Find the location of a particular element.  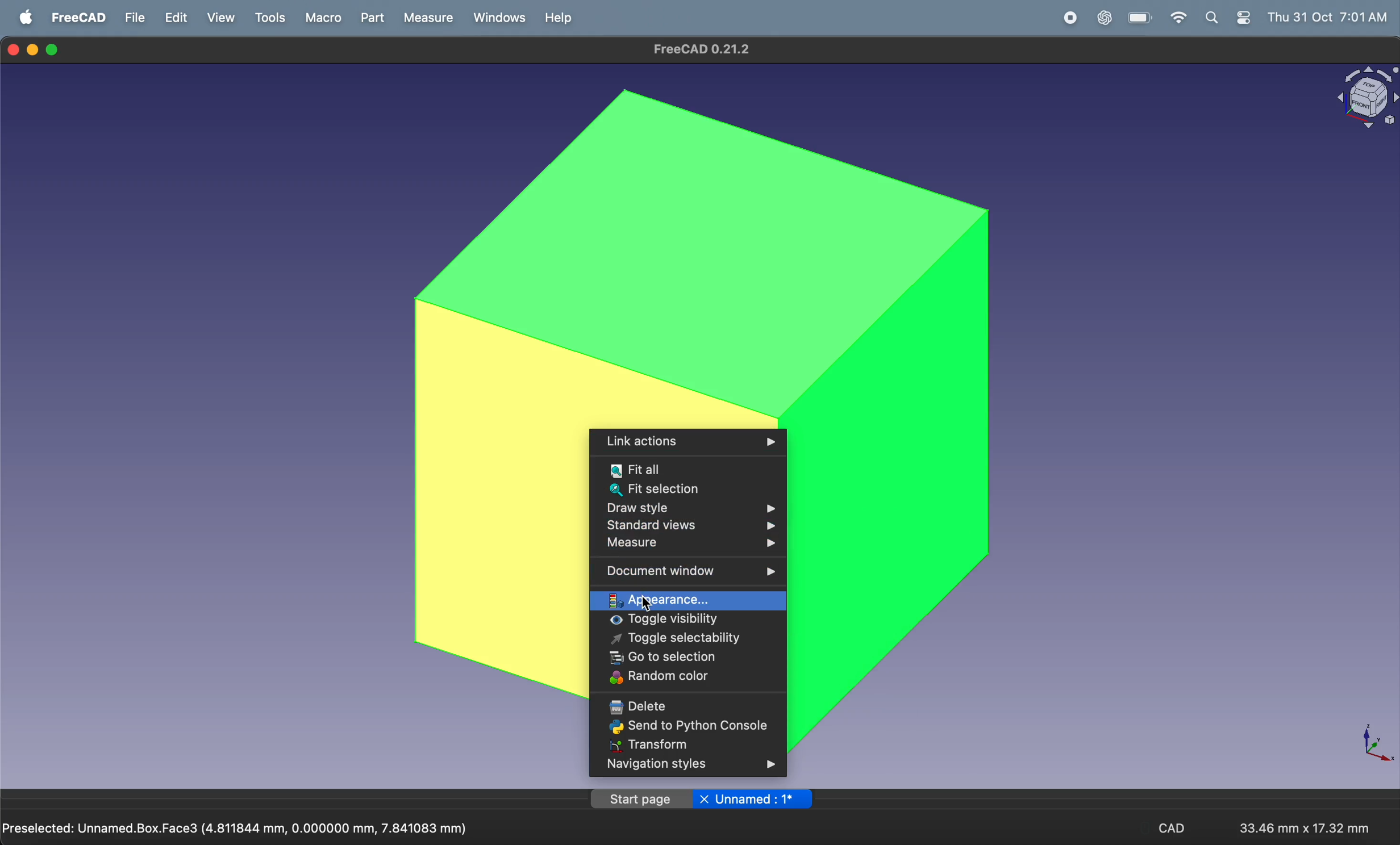

windows is located at coordinates (498, 18).